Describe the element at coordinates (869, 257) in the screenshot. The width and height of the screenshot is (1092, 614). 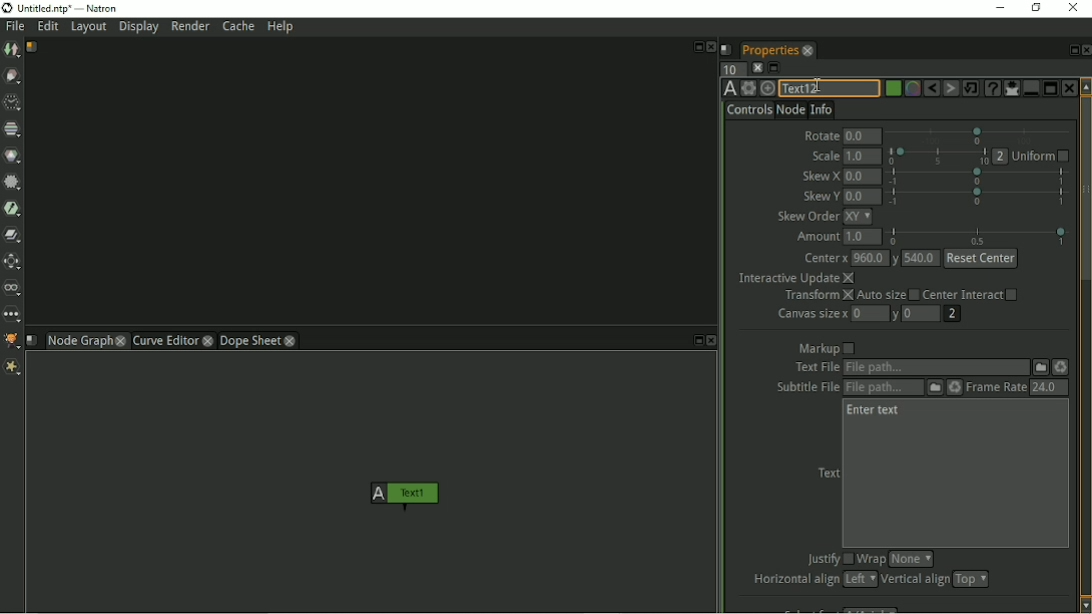
I see `960` at that location.